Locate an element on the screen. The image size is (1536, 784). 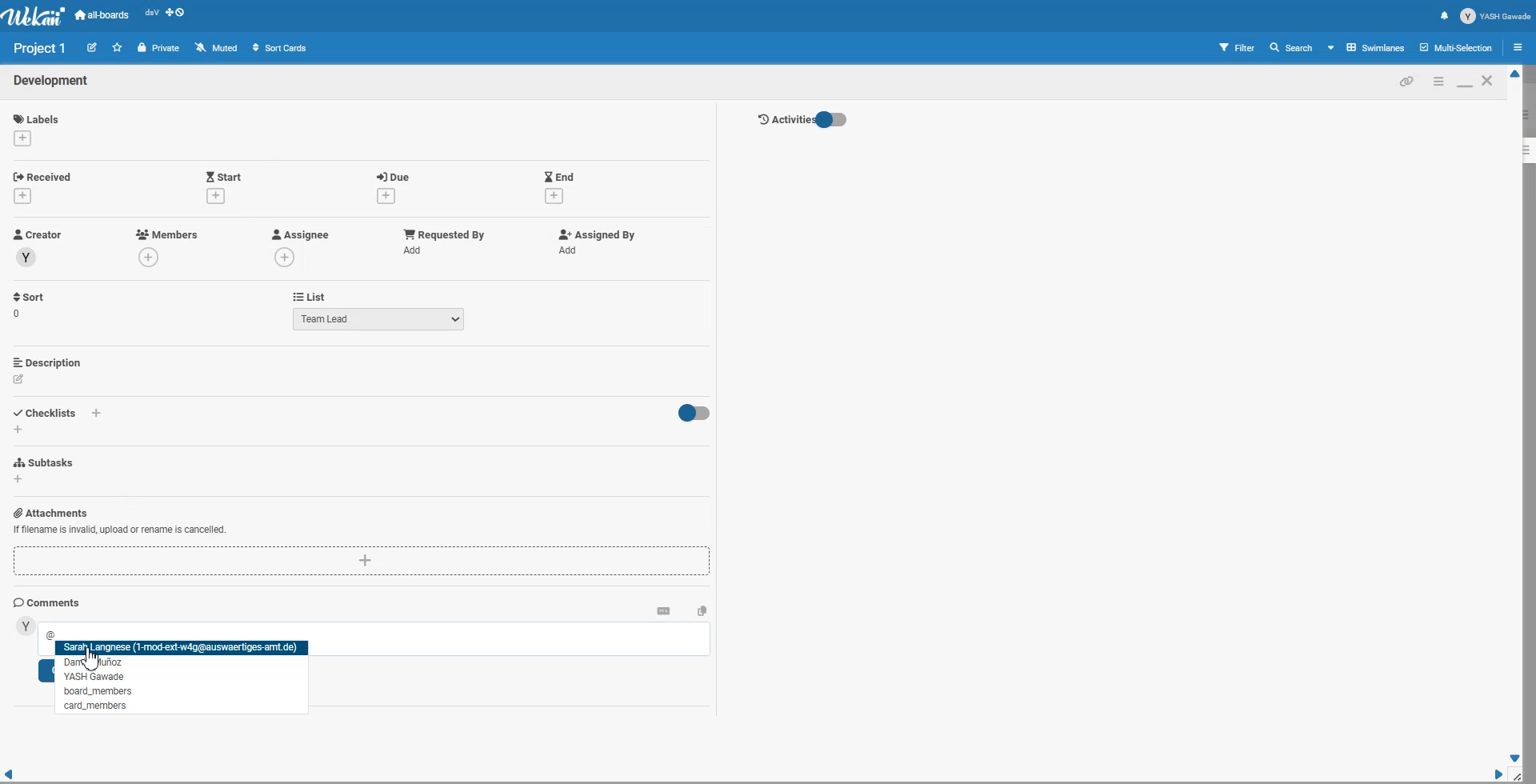
Add Attachments is located at coordinates (362, 562).